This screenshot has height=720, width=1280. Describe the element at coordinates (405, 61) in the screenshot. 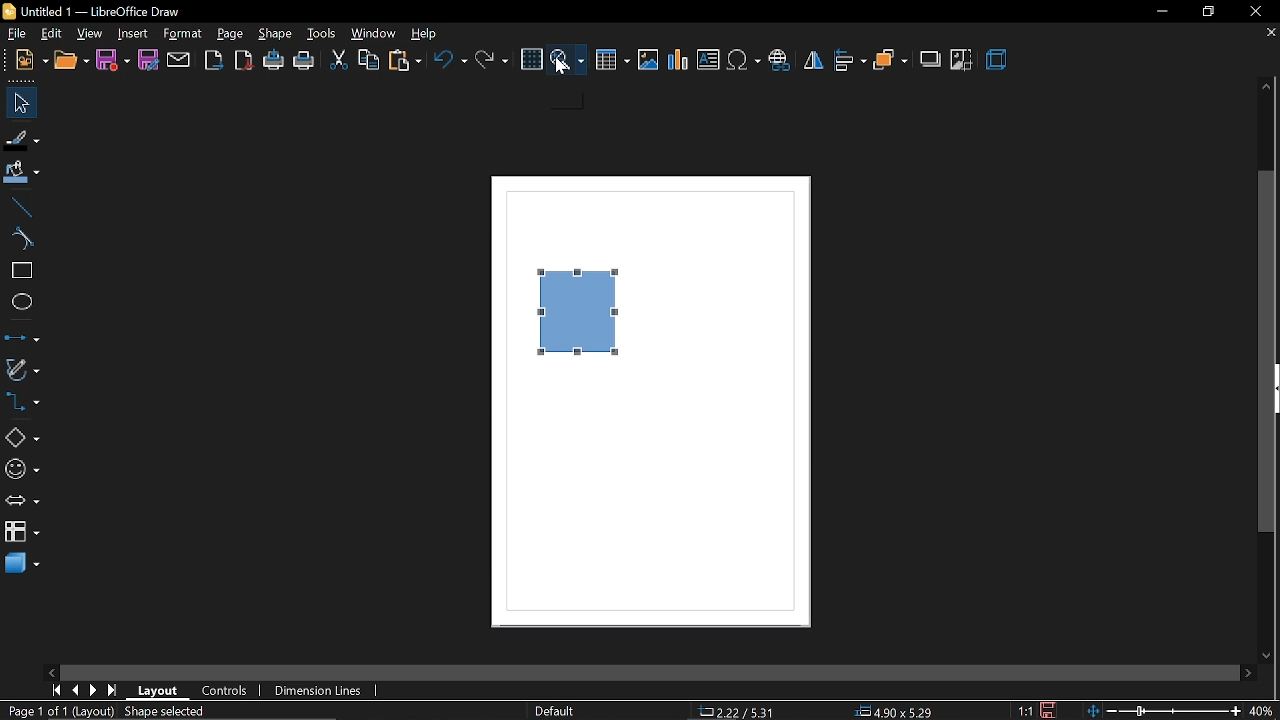

I see `paste` at that location.